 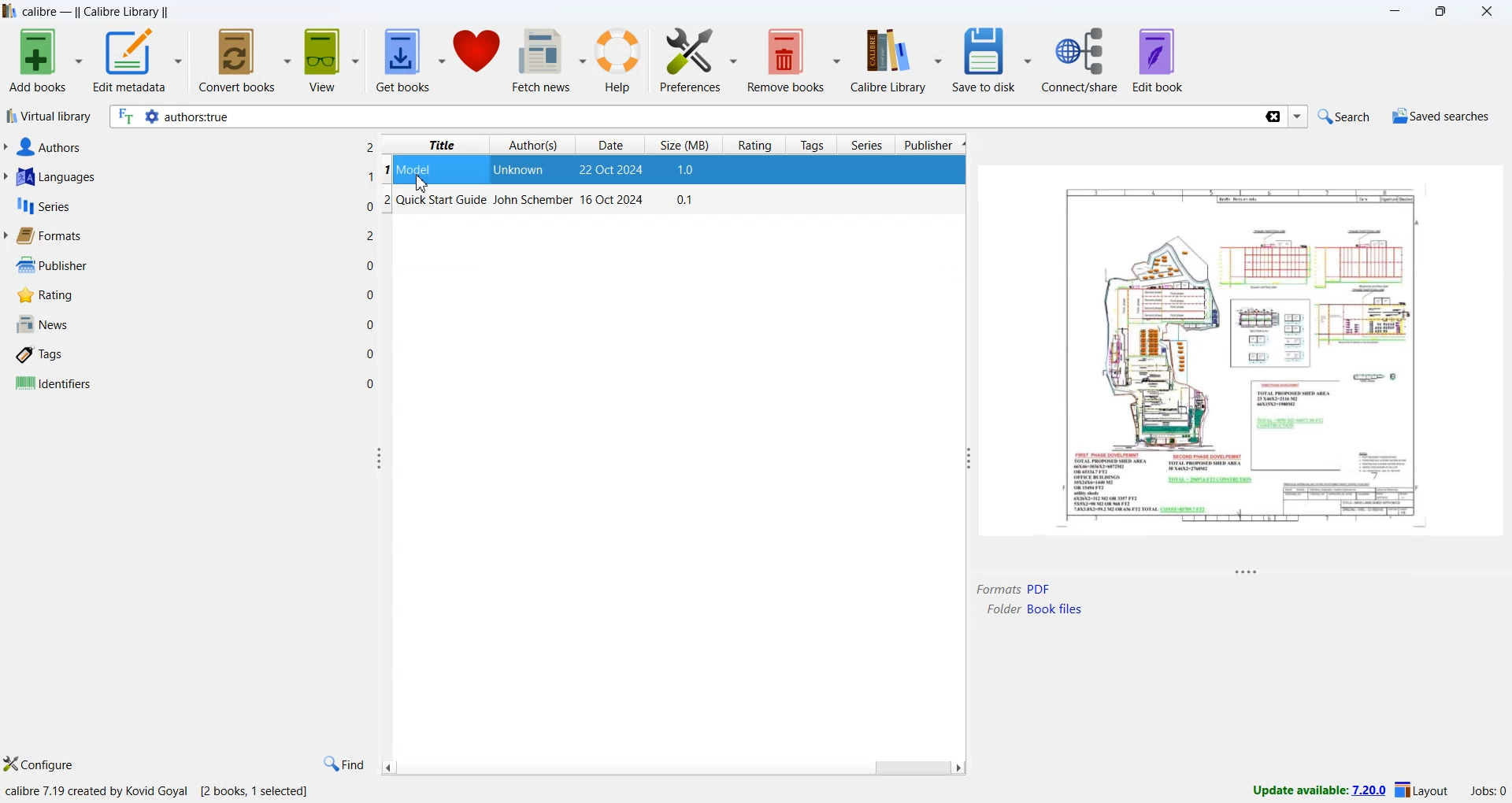 I want to click on get books, so click(x=410, y=61).